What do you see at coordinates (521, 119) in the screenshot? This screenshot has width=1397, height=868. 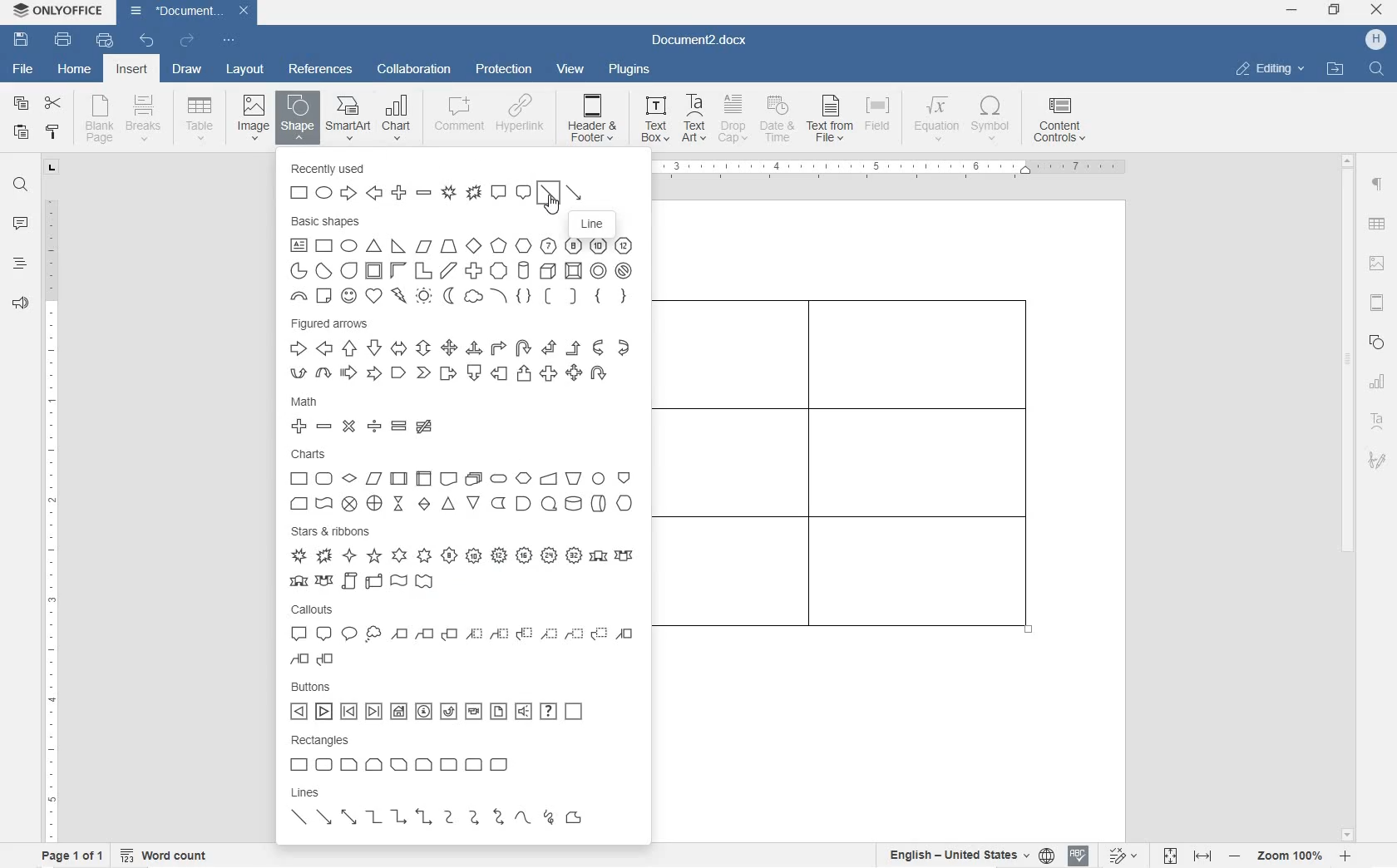 I see `HYPERLINK` at bounding box center [521, 119].